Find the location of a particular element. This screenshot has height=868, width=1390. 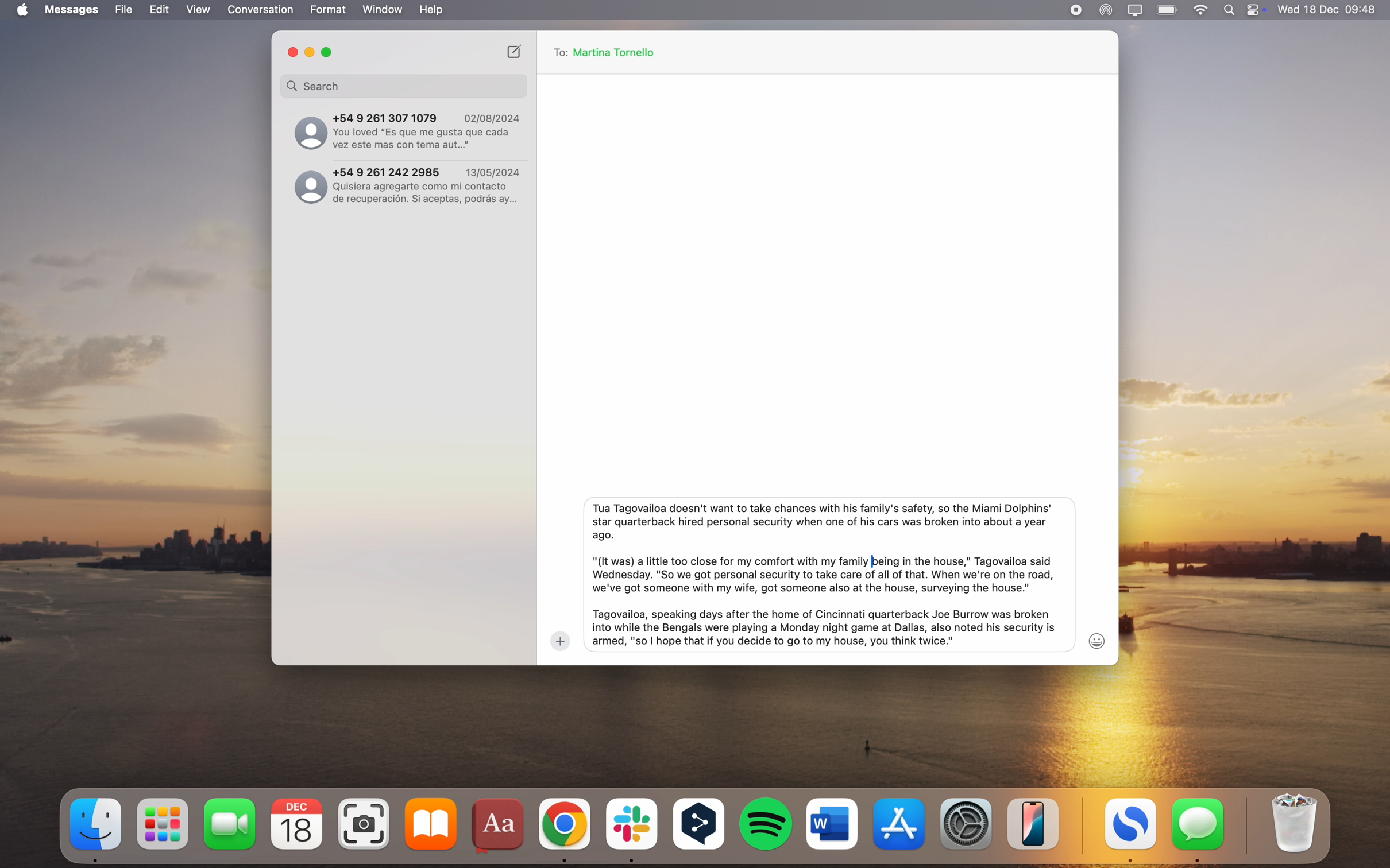

conversation is located at coordinates (261, 10).